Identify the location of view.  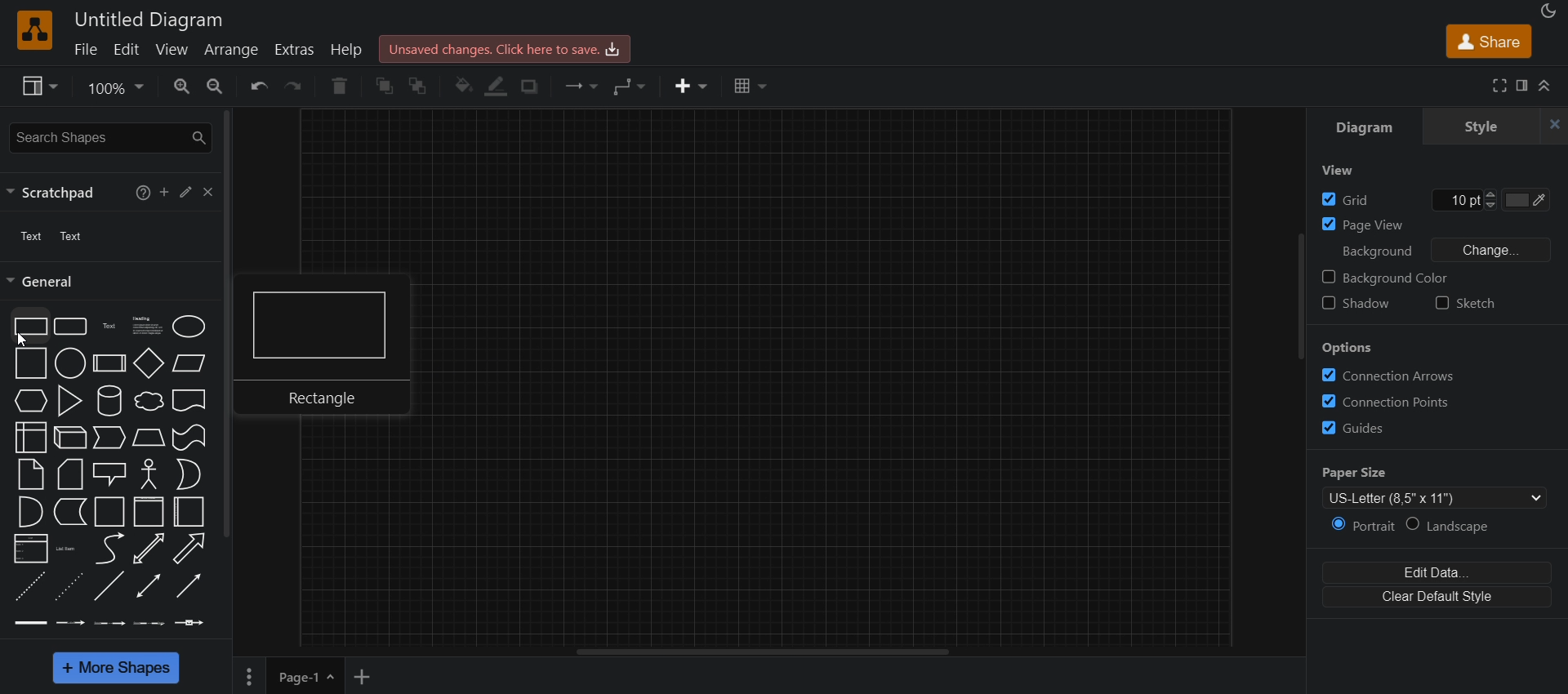
(37, 84).